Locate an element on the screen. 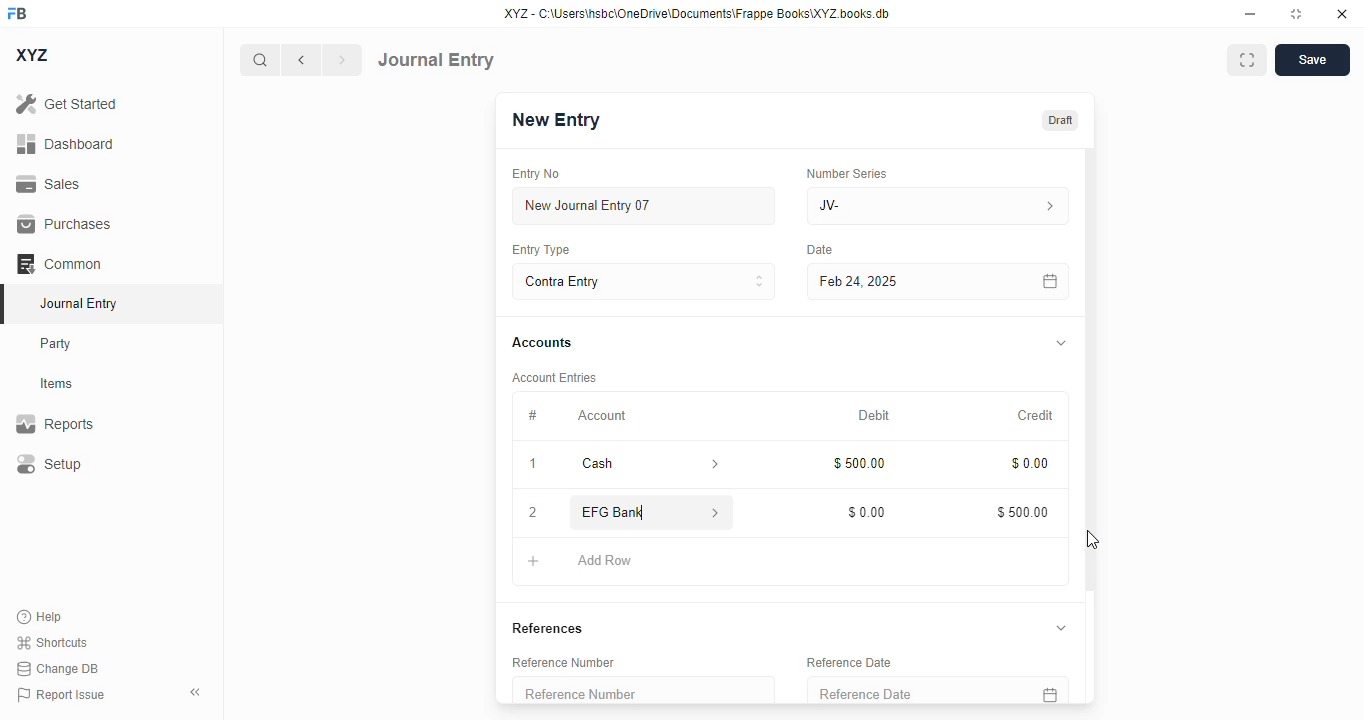 The width and height of the screenshot is (1364, 720). previous is located at coordinates (301, 60).